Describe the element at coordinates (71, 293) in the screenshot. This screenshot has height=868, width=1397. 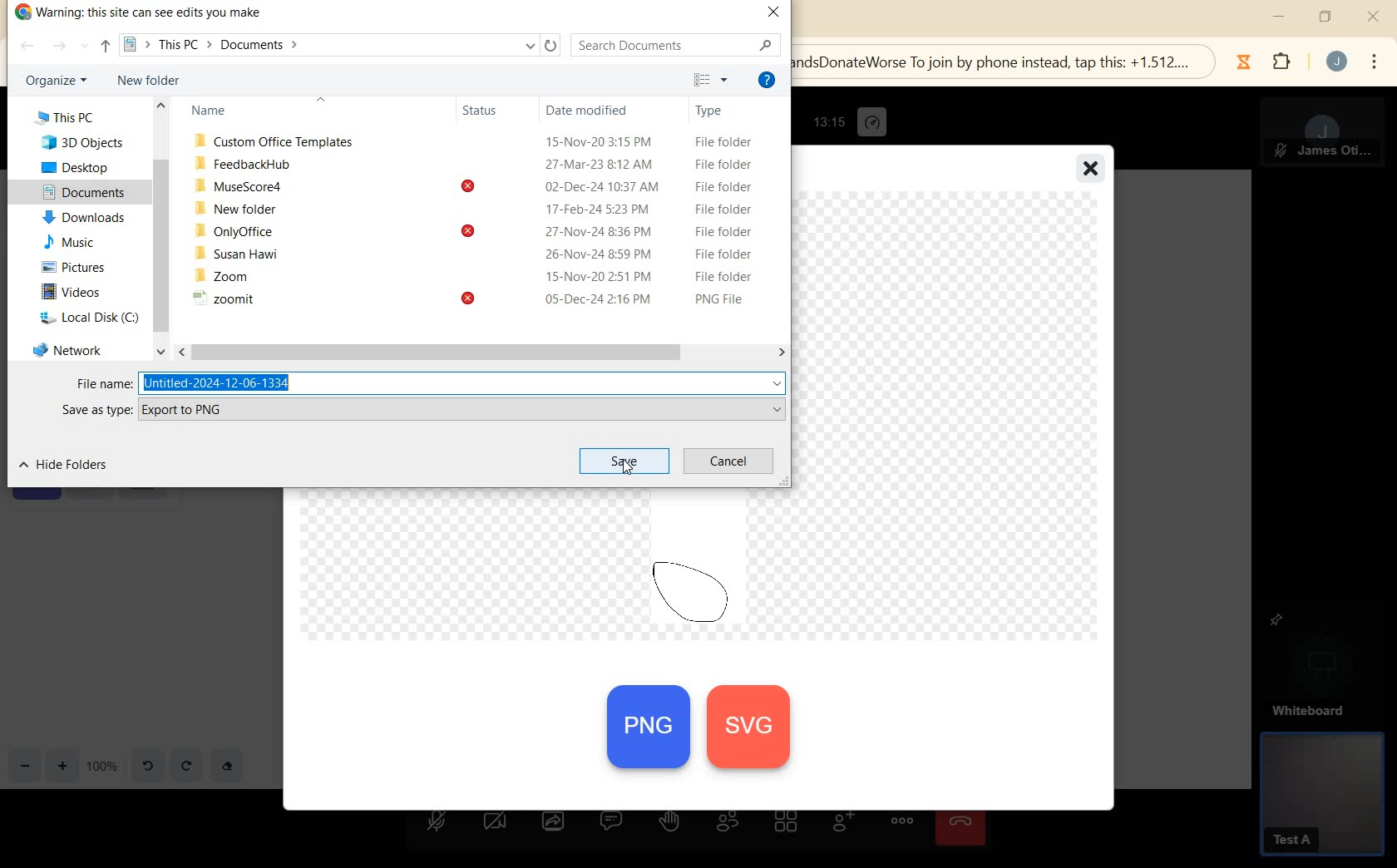
I see `videos` at that location.